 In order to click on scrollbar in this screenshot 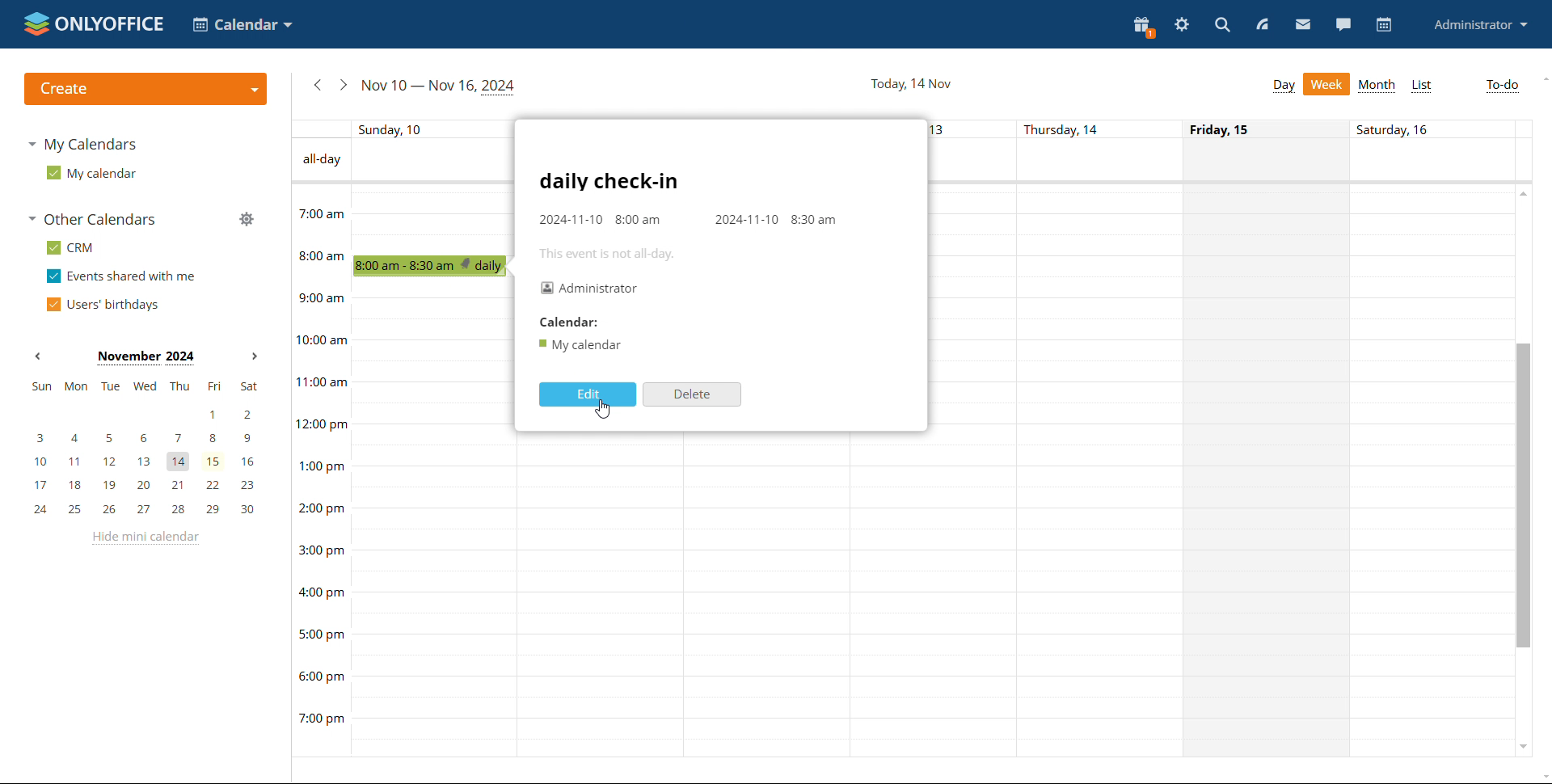, I will do `click(1521, 495)`.